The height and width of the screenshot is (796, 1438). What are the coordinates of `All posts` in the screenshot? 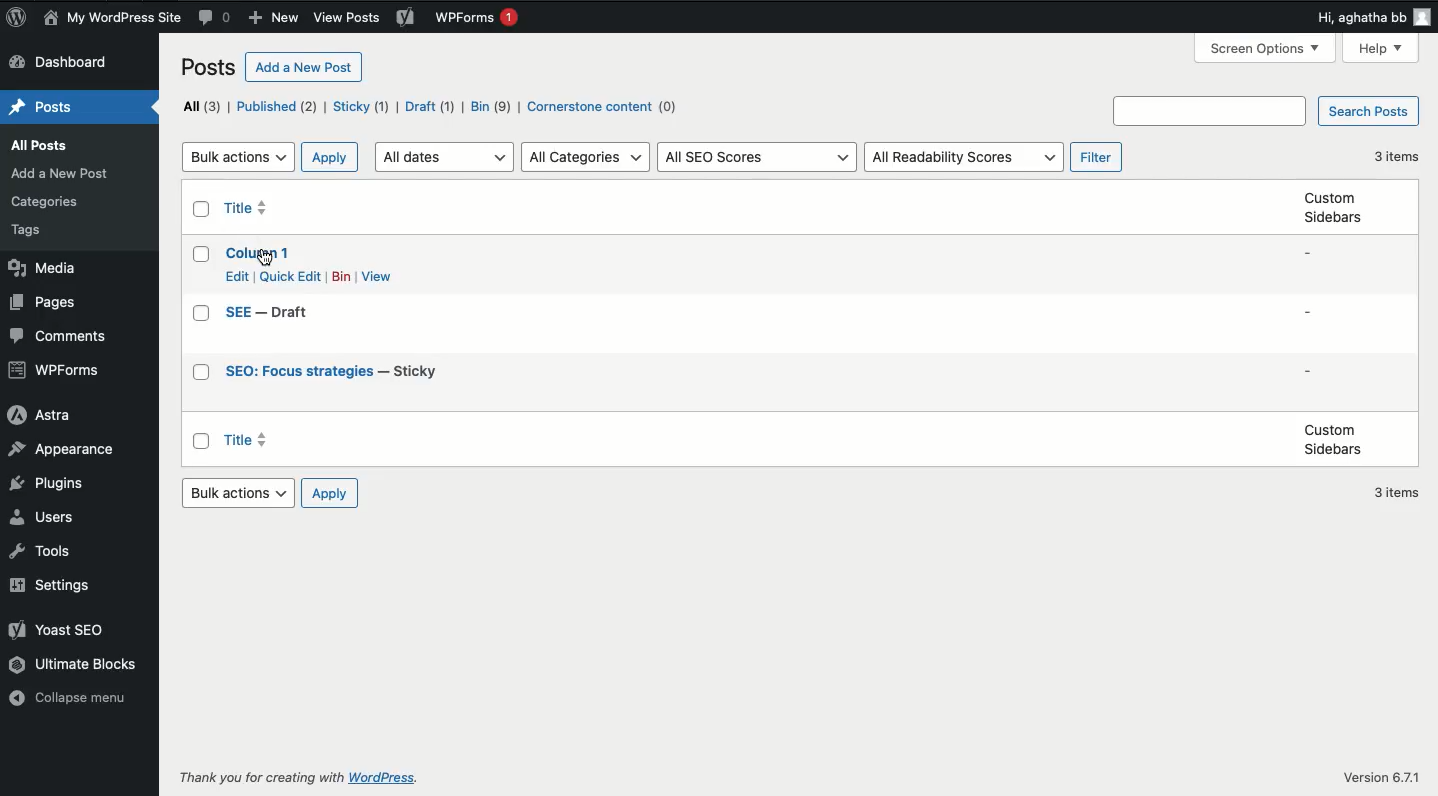 It's located at (35, 146).